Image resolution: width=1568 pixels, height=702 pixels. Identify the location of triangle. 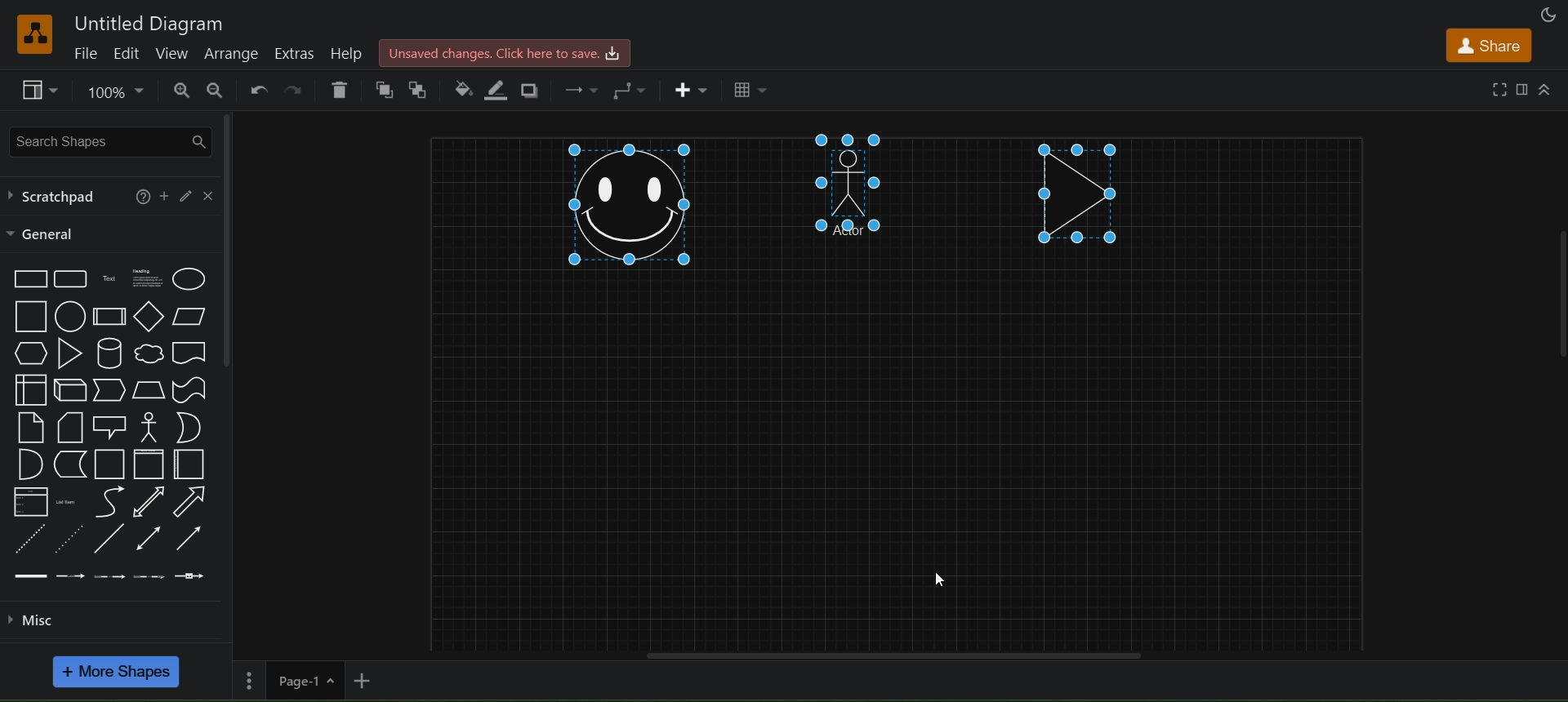
(68, 353).